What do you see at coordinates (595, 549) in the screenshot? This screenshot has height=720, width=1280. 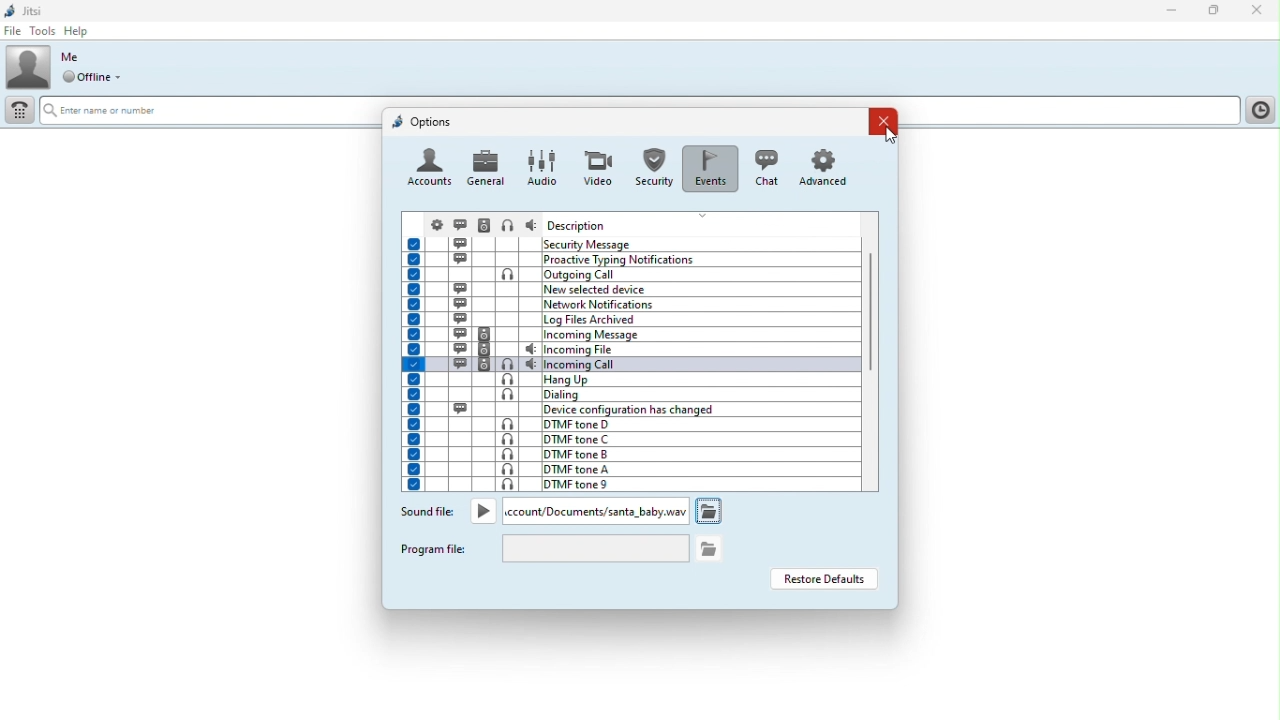 I see `file path` at bounding box center [595, 549].